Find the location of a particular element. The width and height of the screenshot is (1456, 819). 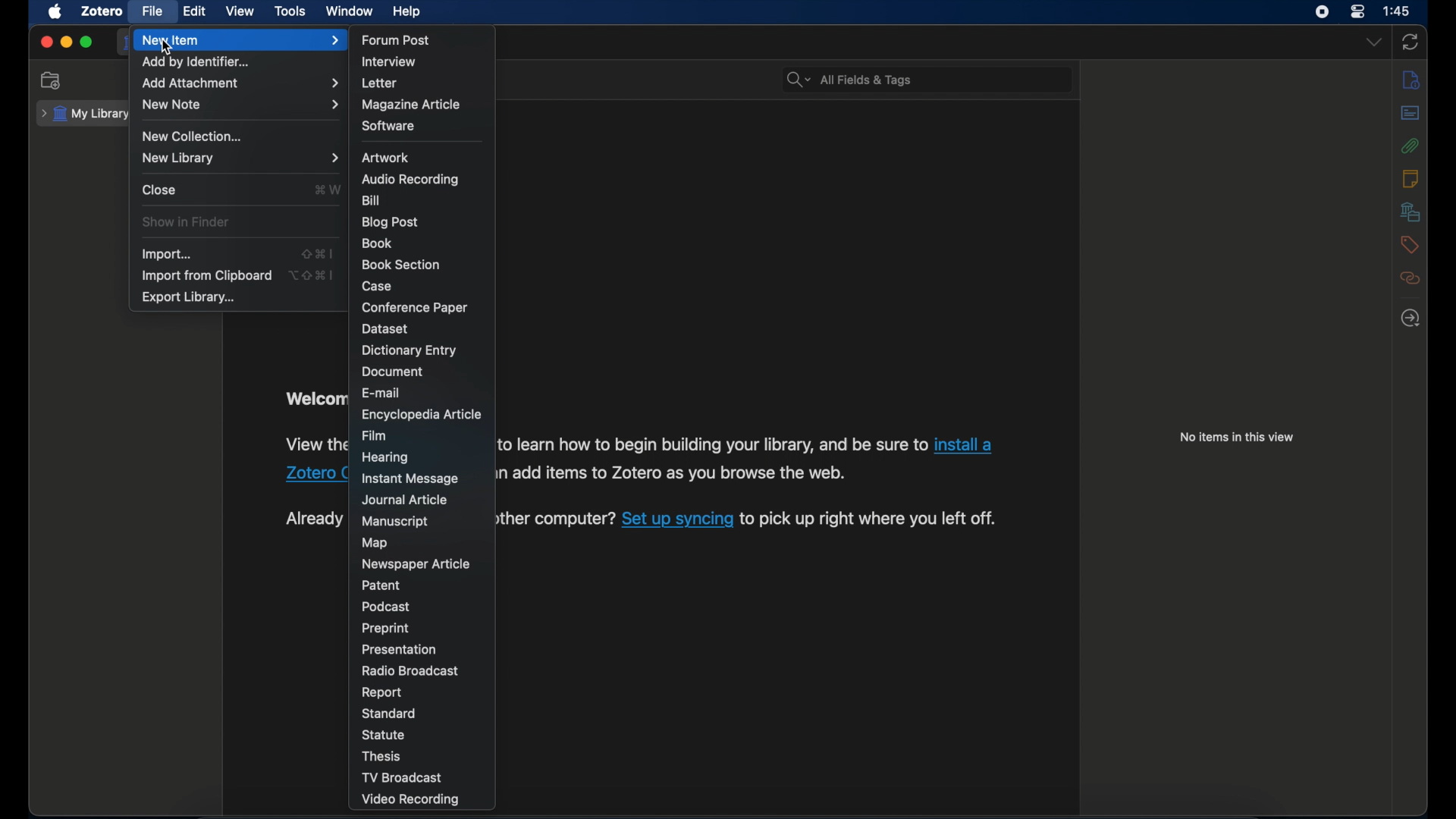

libraries is located at coordinates (1410, 212).